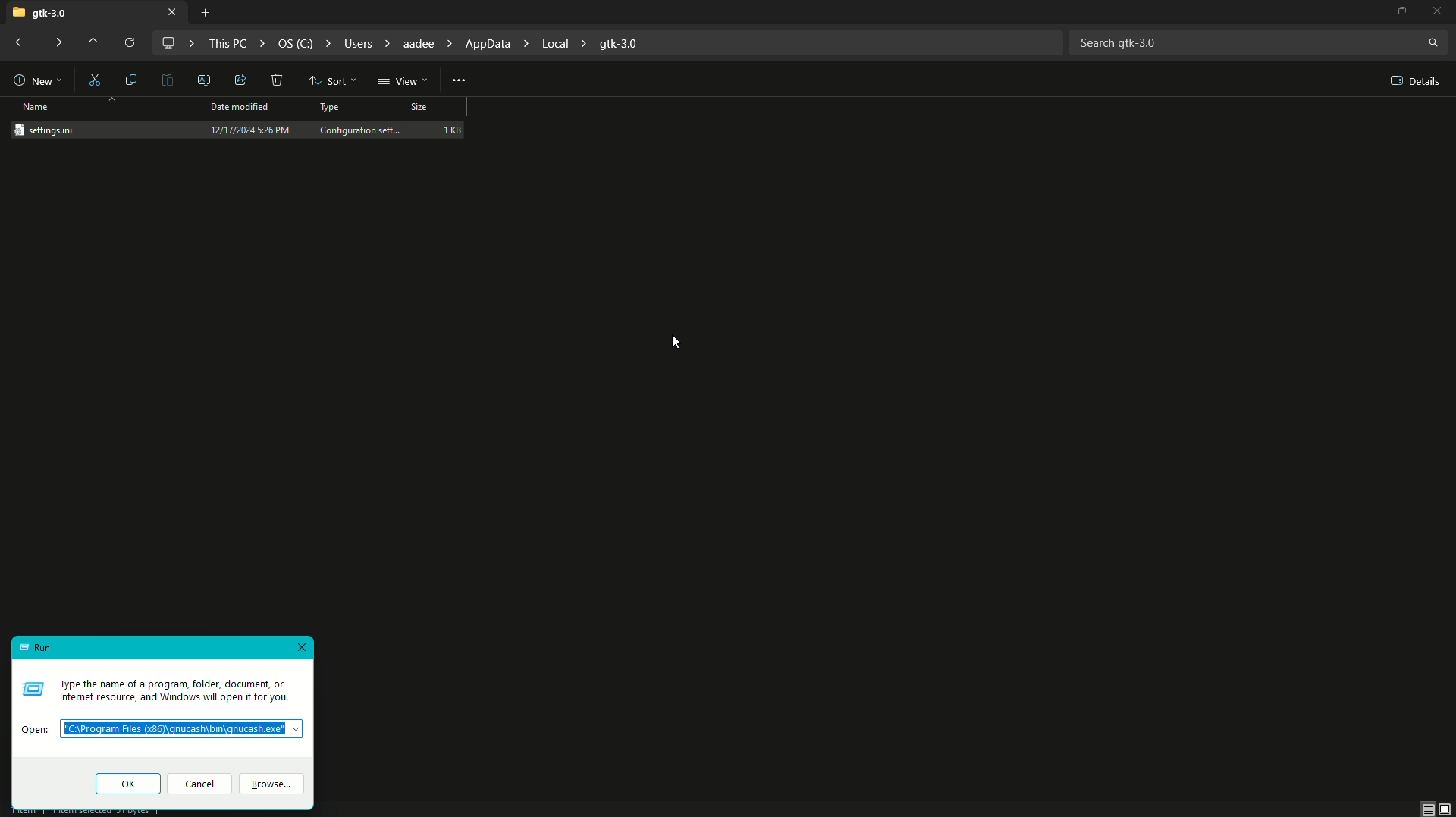  Describe the element at coordinates (300, 646) in the screenshot. I see `Close` at that location.